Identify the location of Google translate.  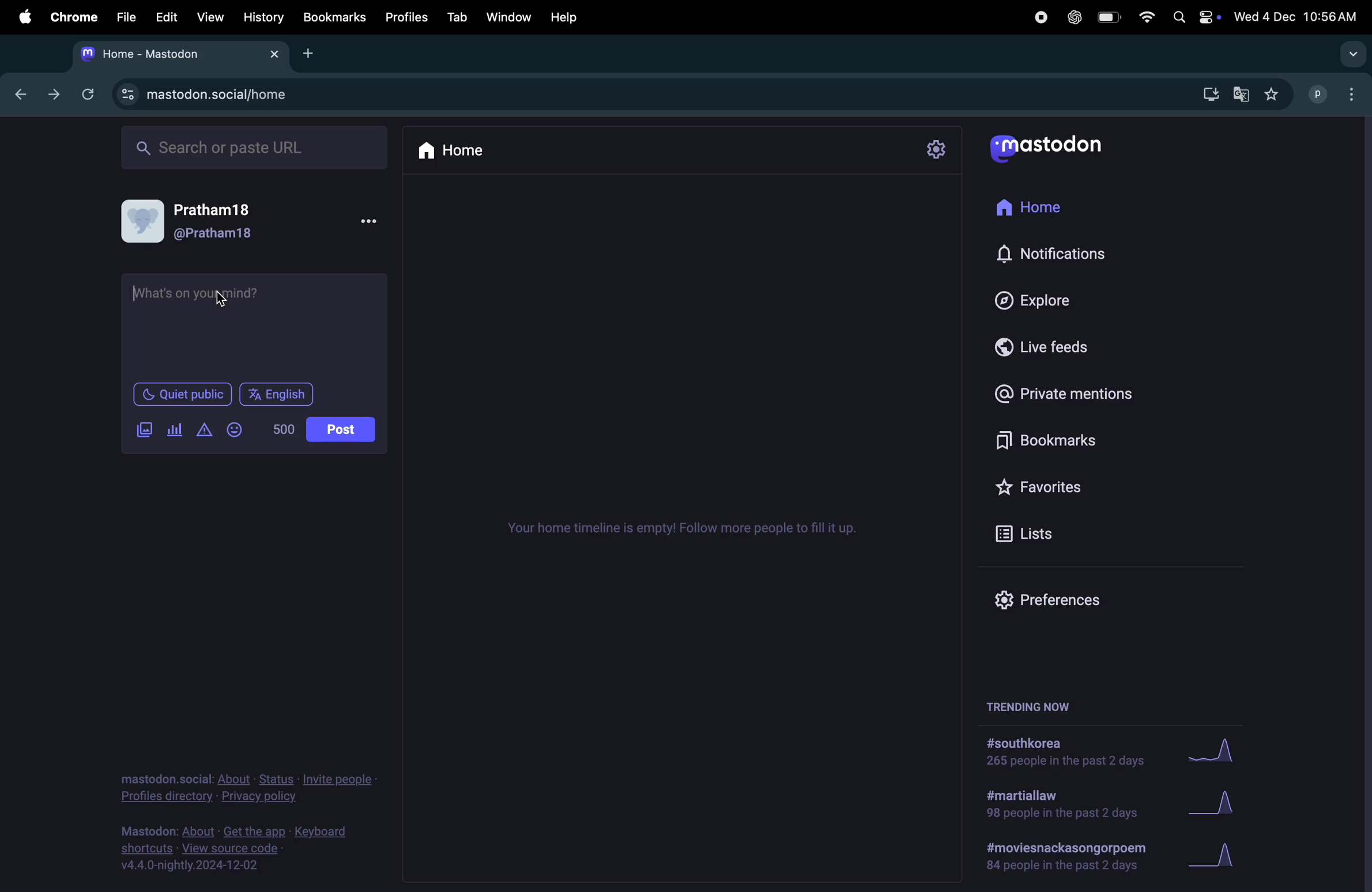
(1242, 93).